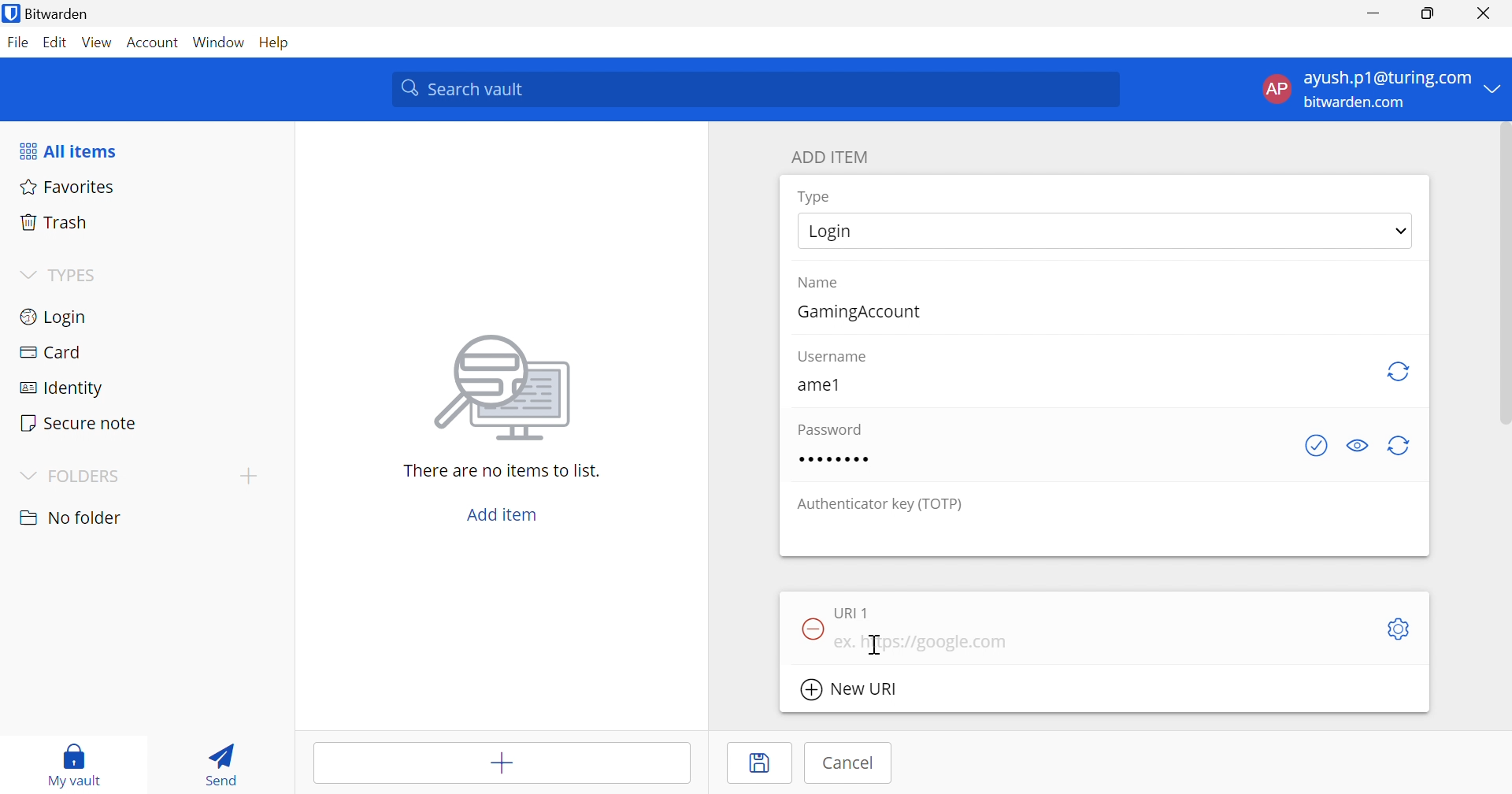  Describe the element at coordinates (1402, 231) in the screenshot. I see `Drop Down` at that location.